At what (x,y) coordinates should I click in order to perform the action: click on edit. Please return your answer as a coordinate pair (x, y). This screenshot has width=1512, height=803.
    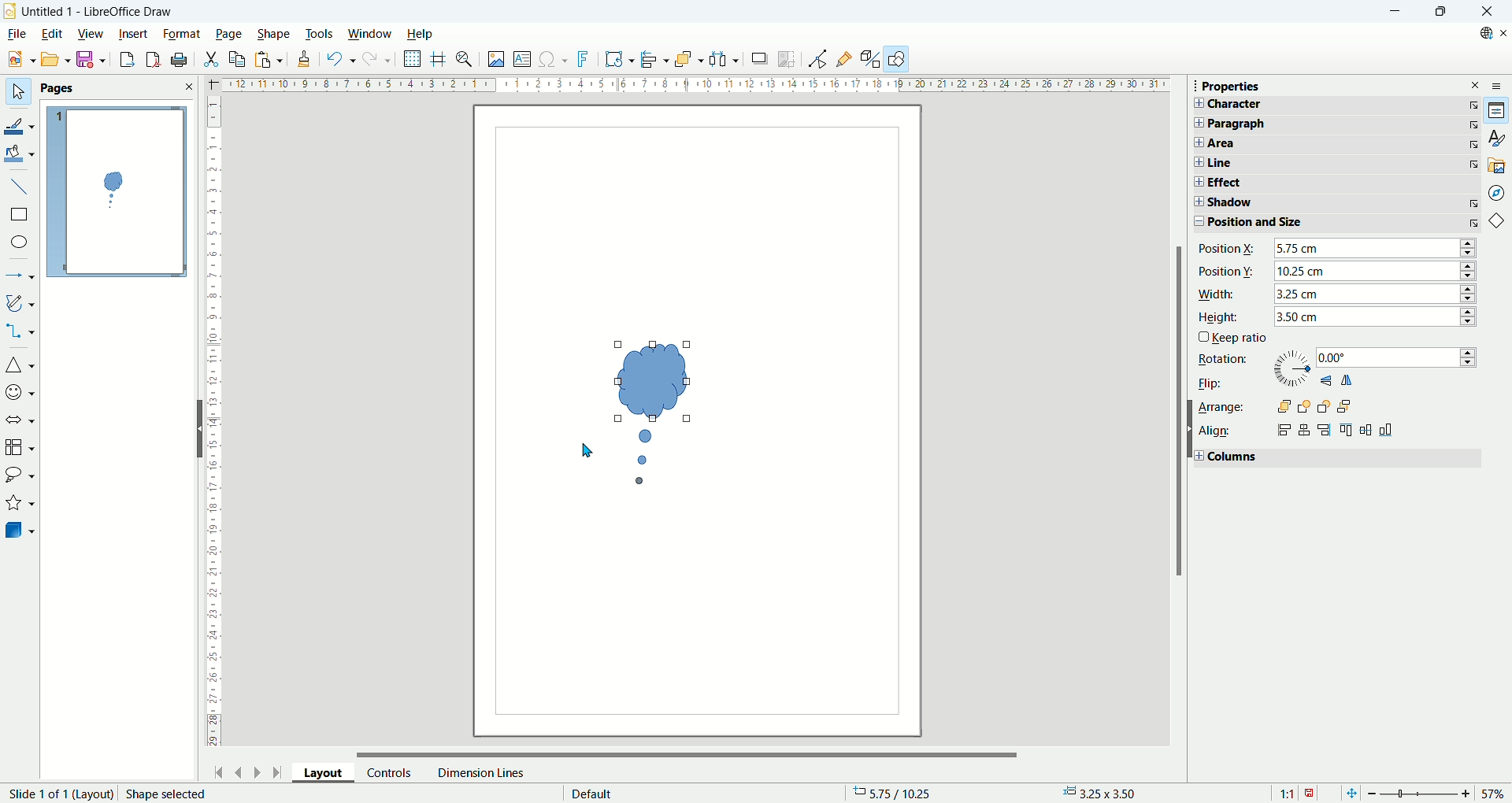
    Looking at the image, I should click on (51, 35).